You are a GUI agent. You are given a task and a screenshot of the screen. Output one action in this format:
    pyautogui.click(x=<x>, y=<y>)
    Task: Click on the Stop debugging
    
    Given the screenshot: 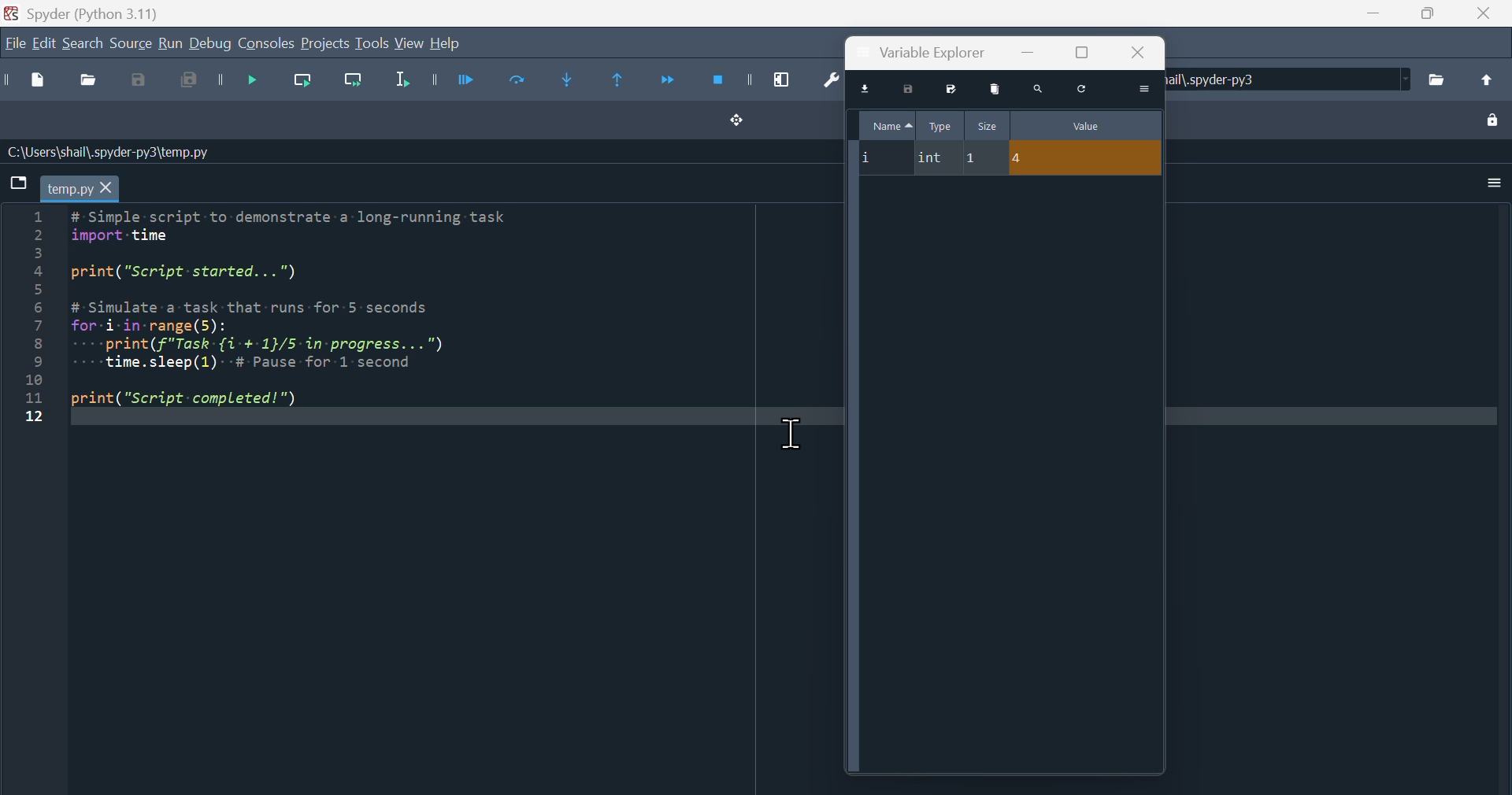 What is the action you would take?
    pyautogui.click(x=728, y=80)
    